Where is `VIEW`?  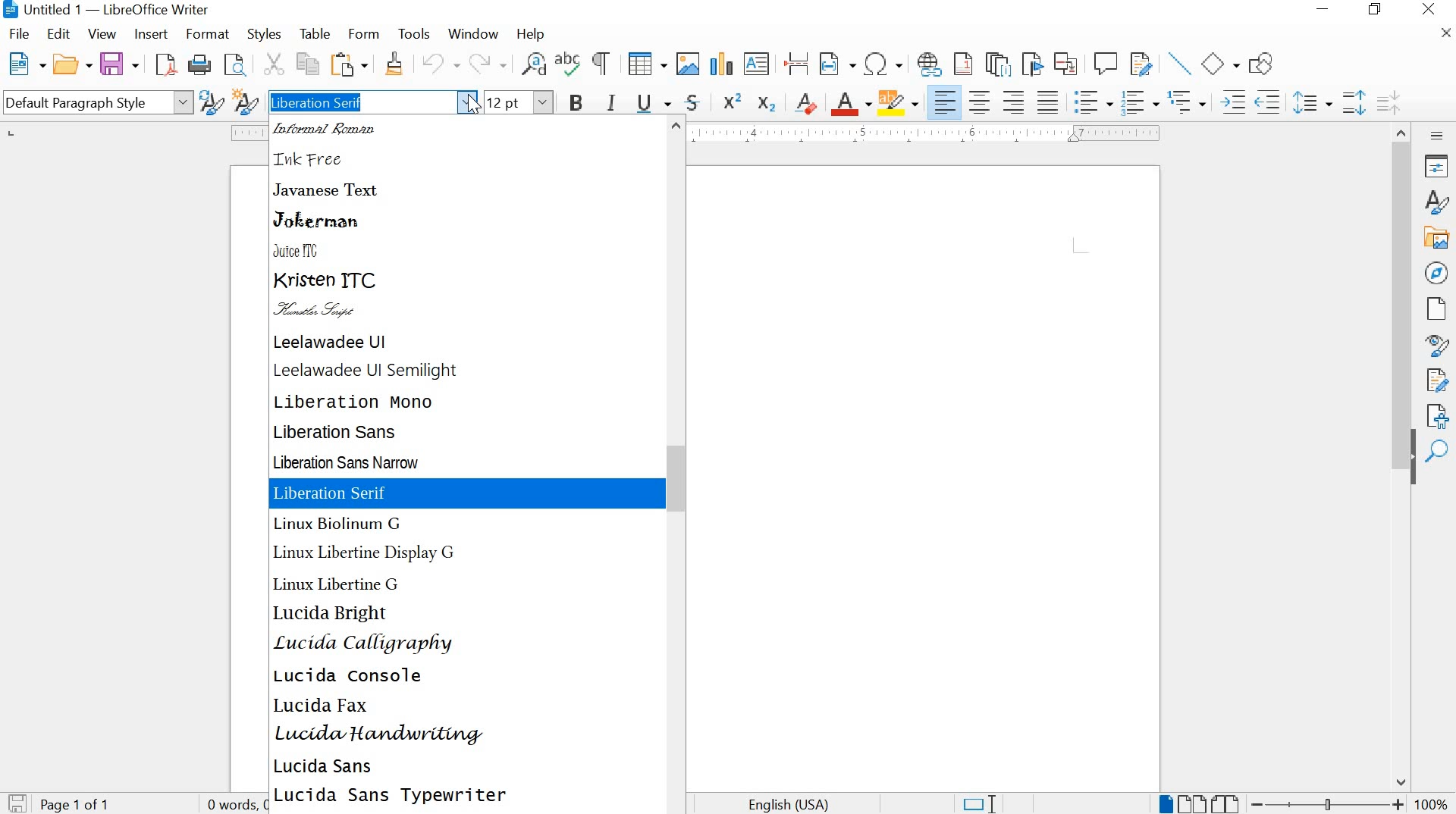 VIEW is located at coordinates (103, 35).